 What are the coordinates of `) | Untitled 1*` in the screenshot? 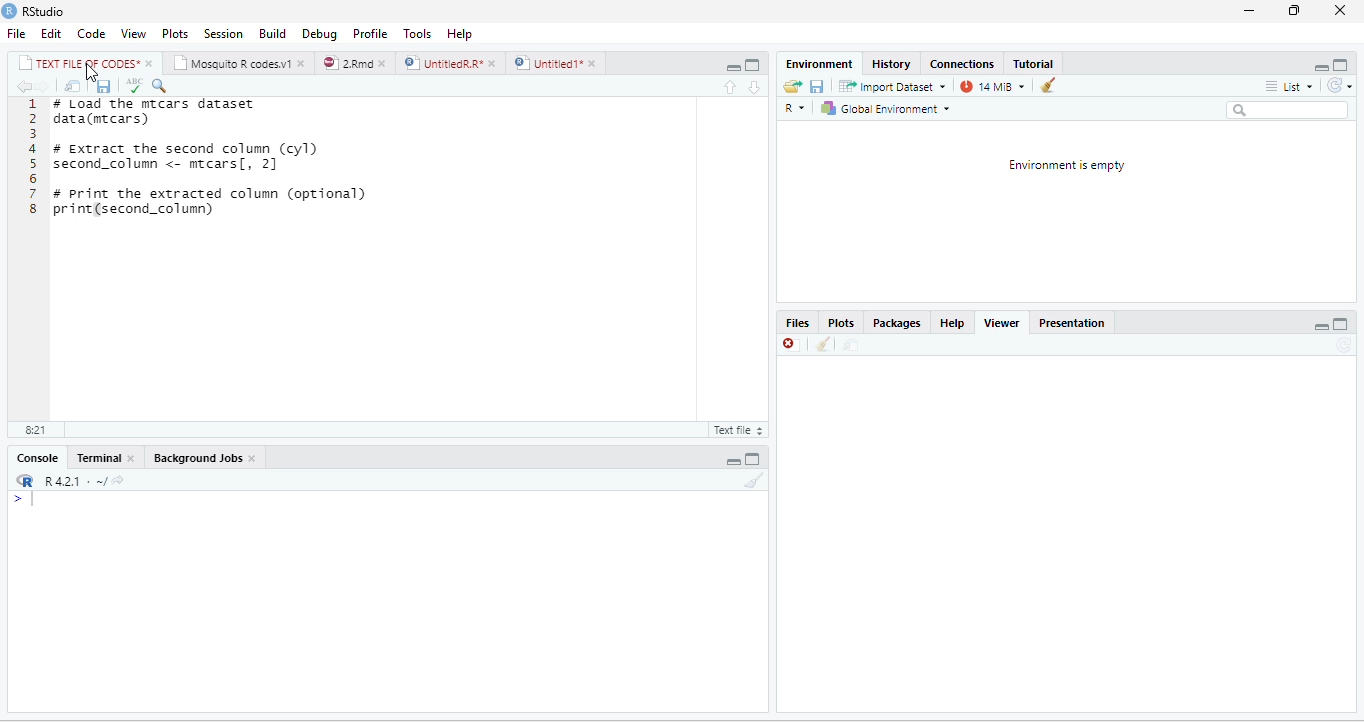 It's located at (547, 63).